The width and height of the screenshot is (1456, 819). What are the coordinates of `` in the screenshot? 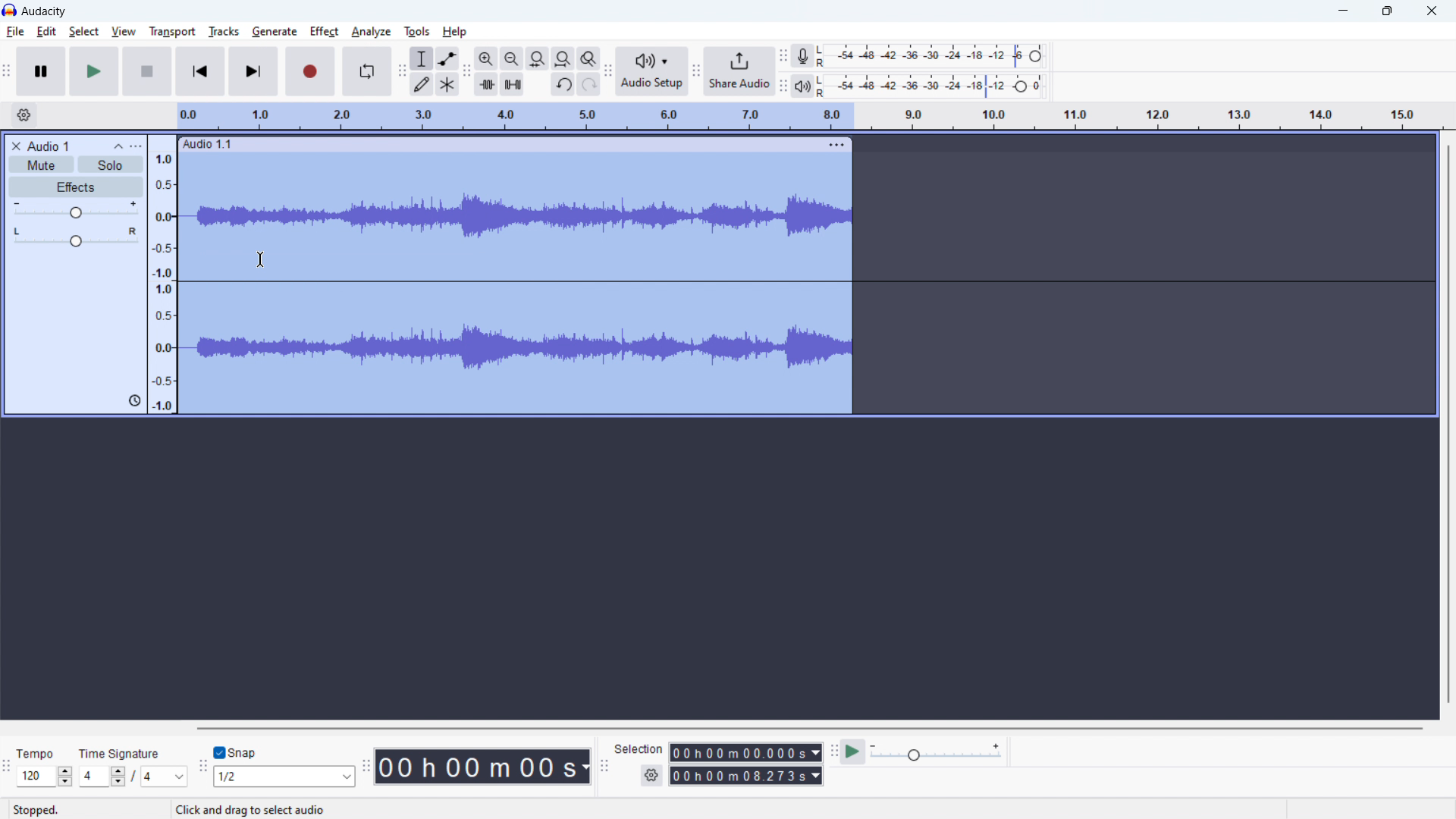 It's located at (367, 71).